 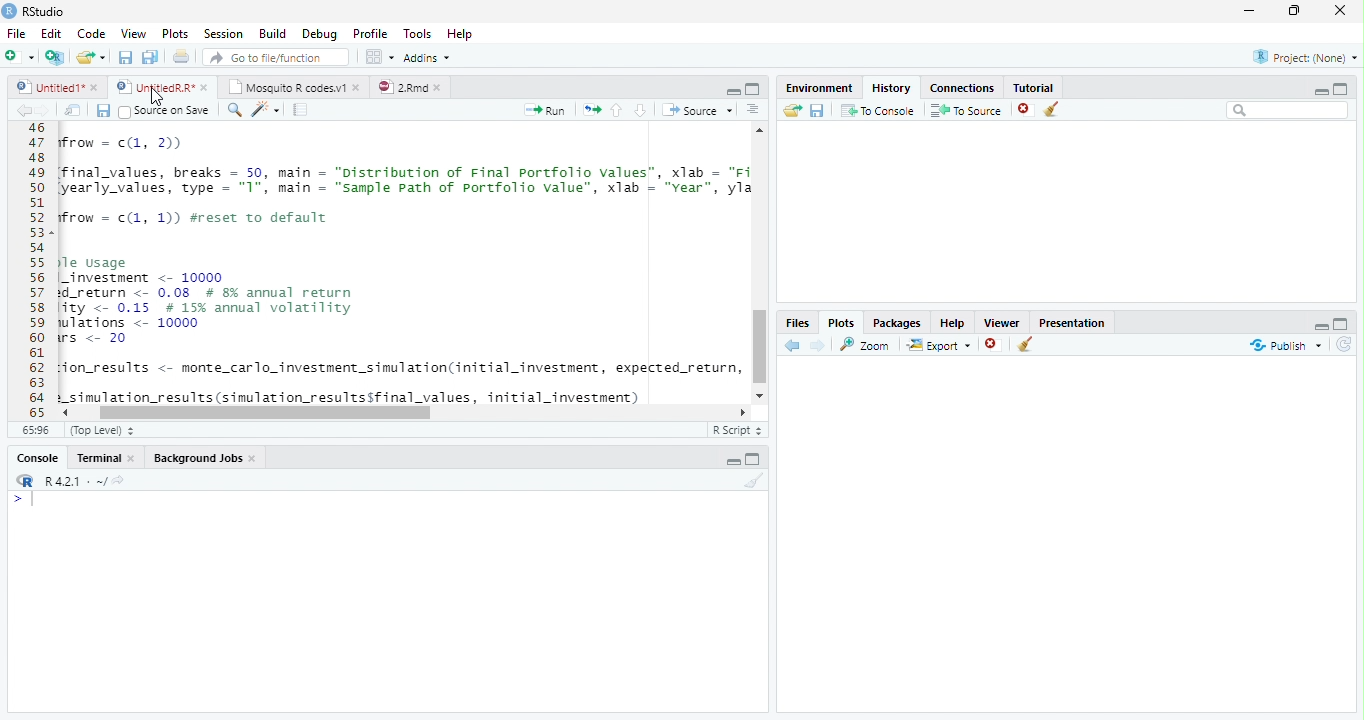 I want to click on Mosquito R codes.v1, so click(x=292, y=86).